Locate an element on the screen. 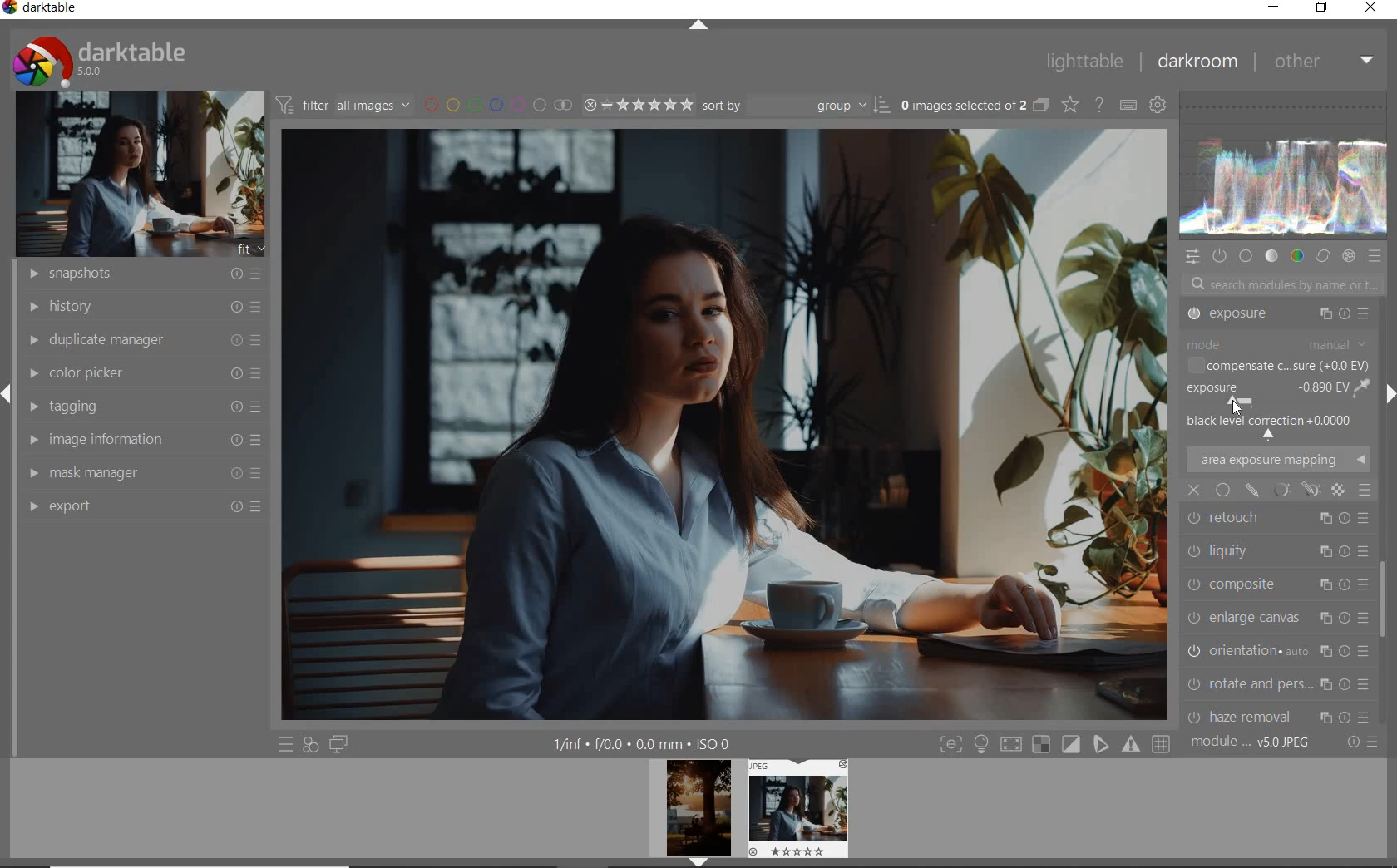  ORIENTATION is located at coordinates (1281, 547).